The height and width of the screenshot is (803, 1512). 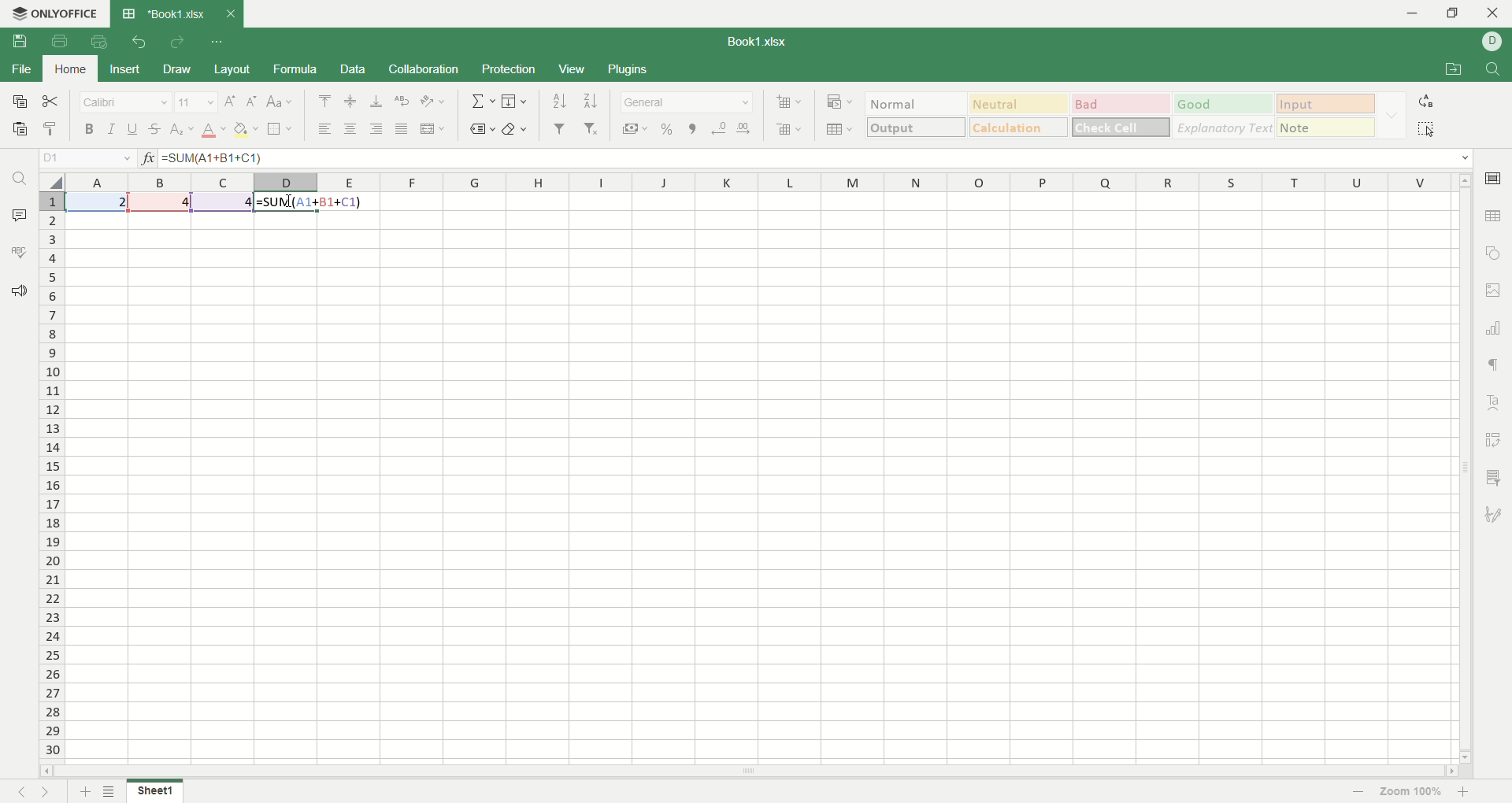 I want to click on cut, so click(x=53, y=100).